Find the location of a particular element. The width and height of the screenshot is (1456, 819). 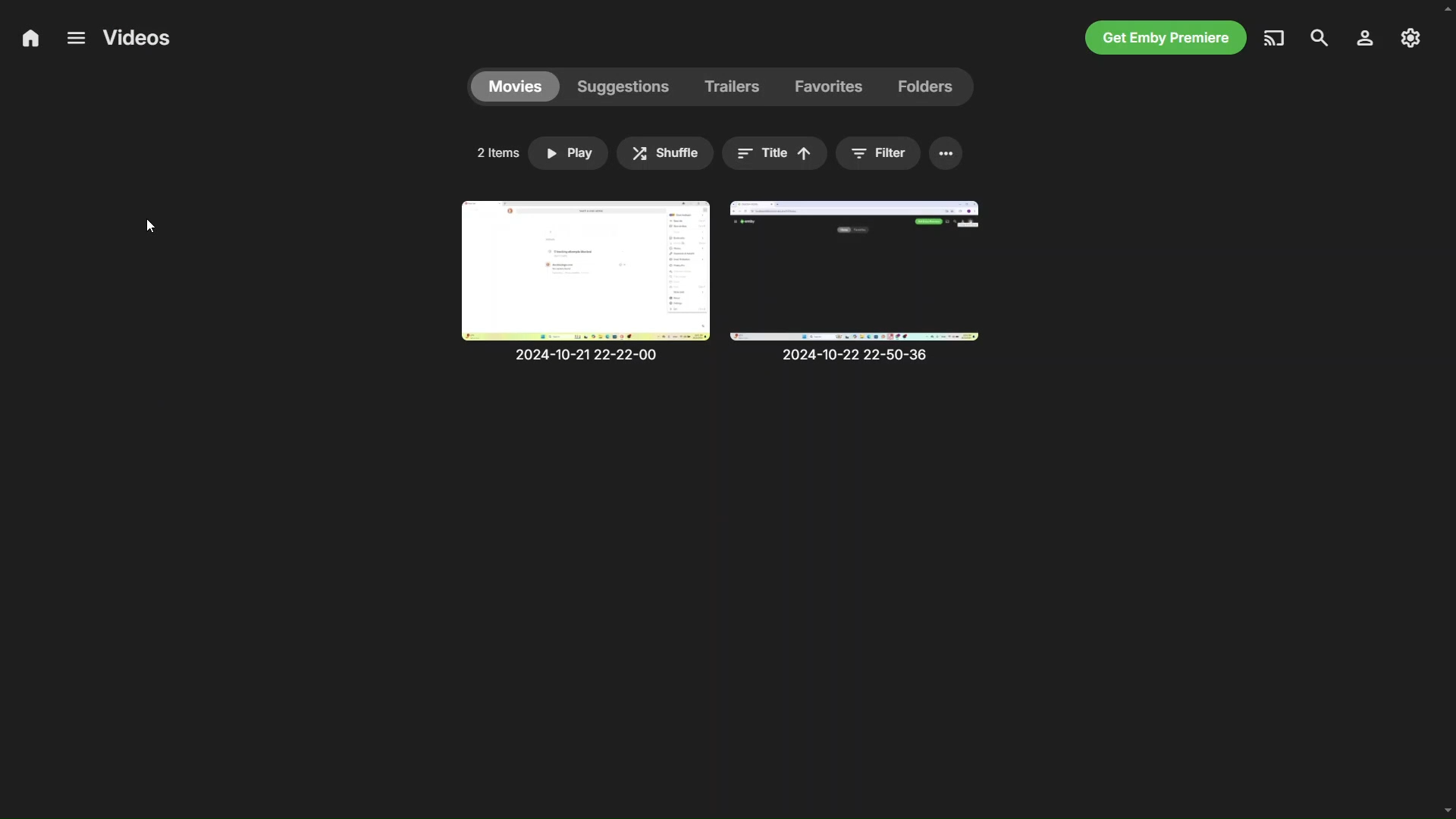

play is located at coordinates (566, 153).